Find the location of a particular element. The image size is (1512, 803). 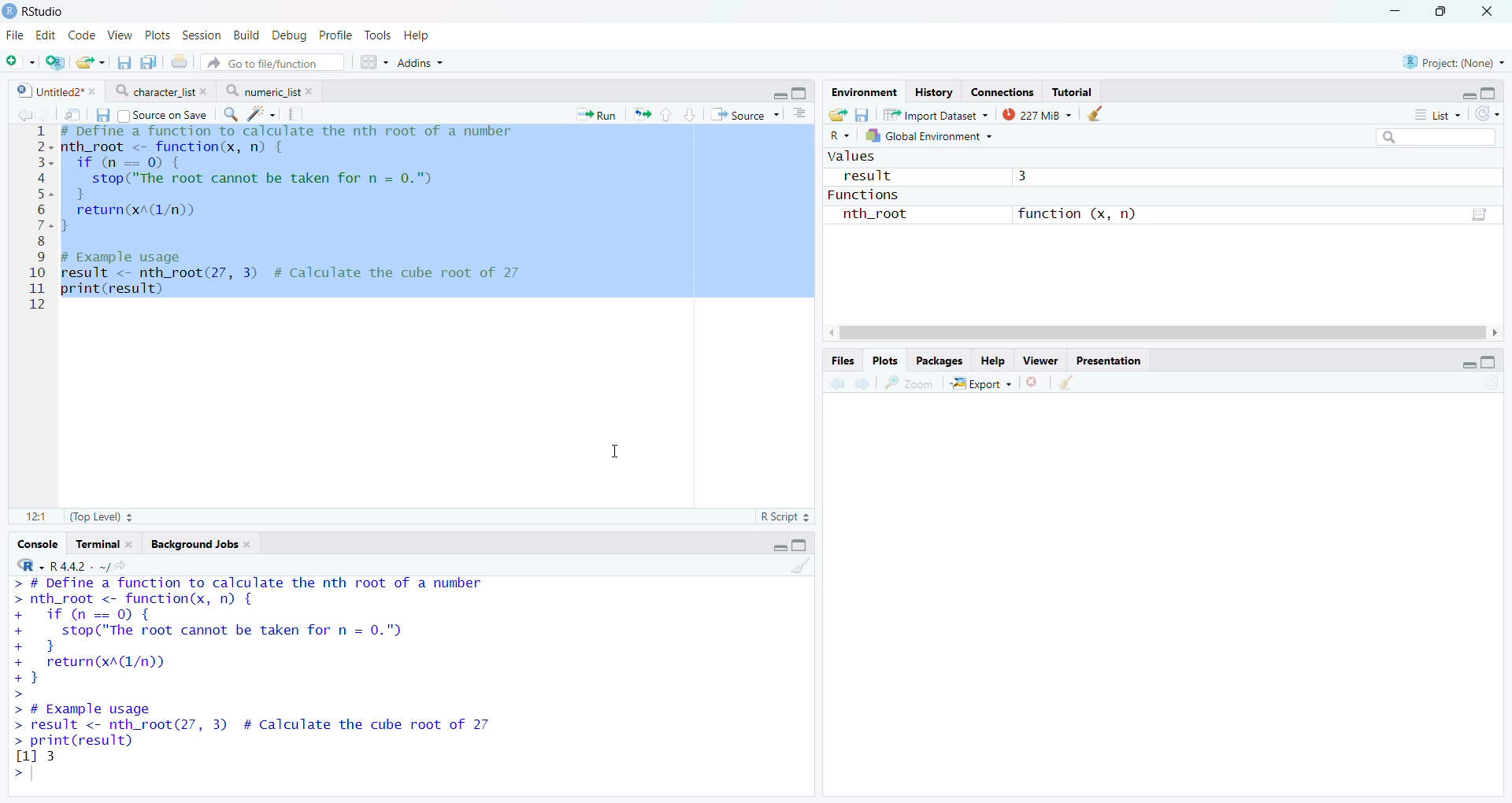

Re-run previous code section is located at coordinates (641, 115).